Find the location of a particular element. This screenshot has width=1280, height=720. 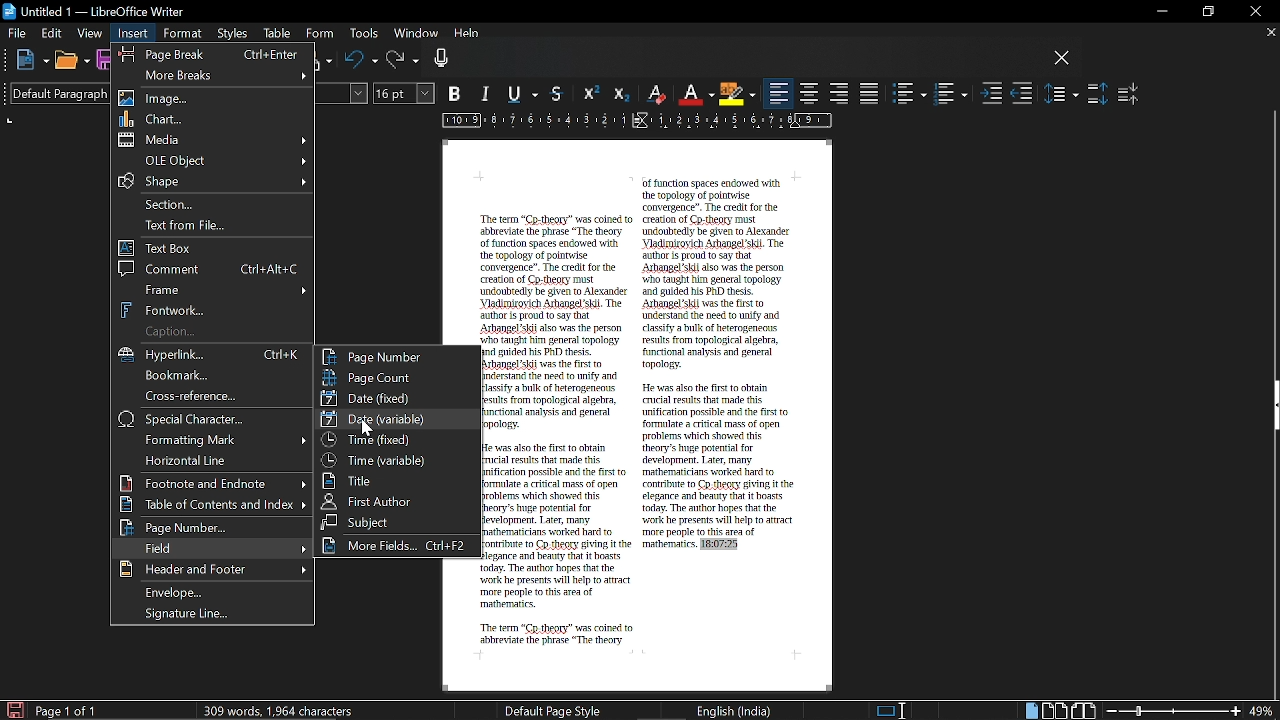

Text size is located at coordinates (405, 93).